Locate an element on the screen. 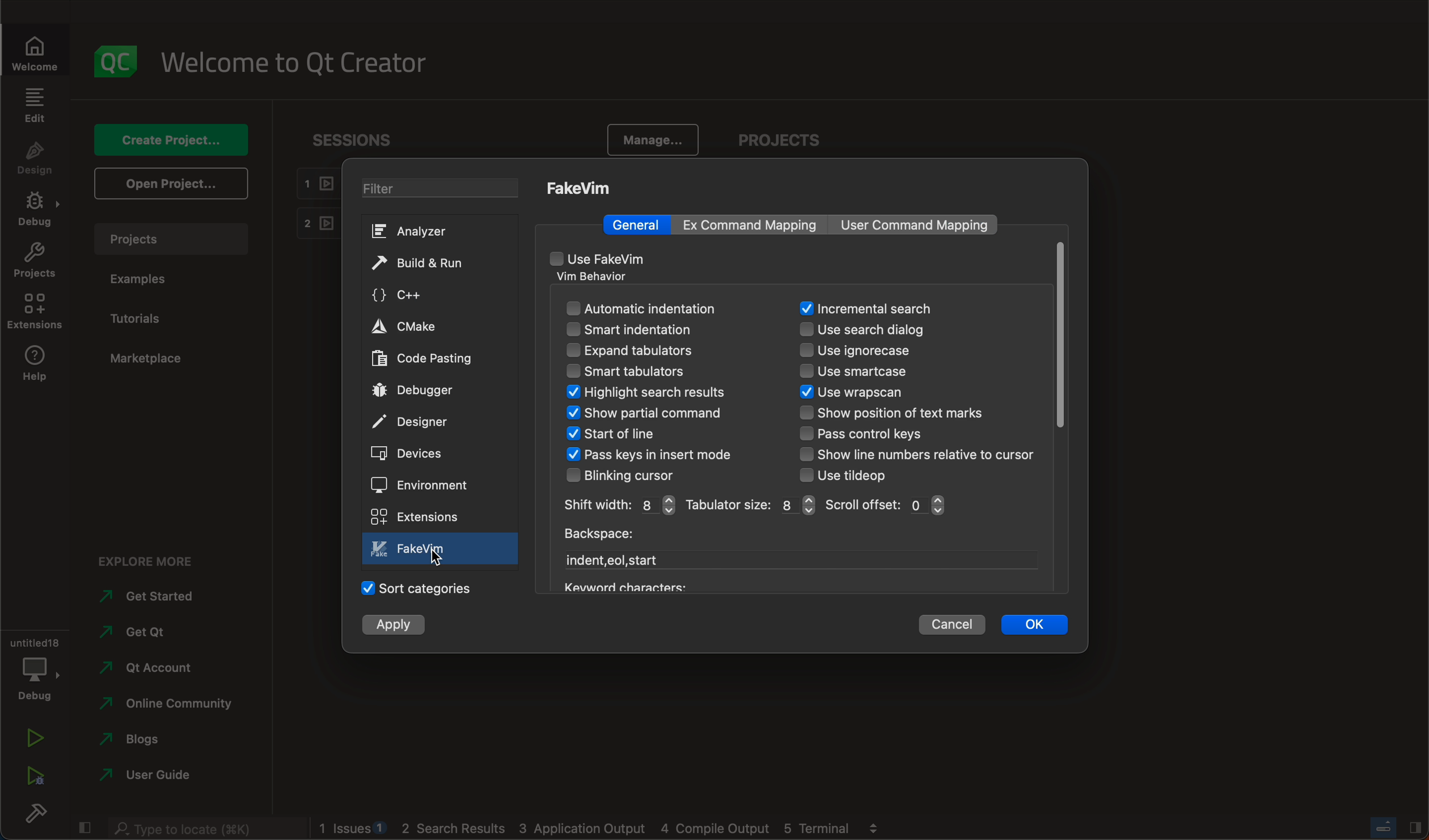 The height and width of the screenshot is (840, 1429). close slide bar is located at coordinates (83, 829).